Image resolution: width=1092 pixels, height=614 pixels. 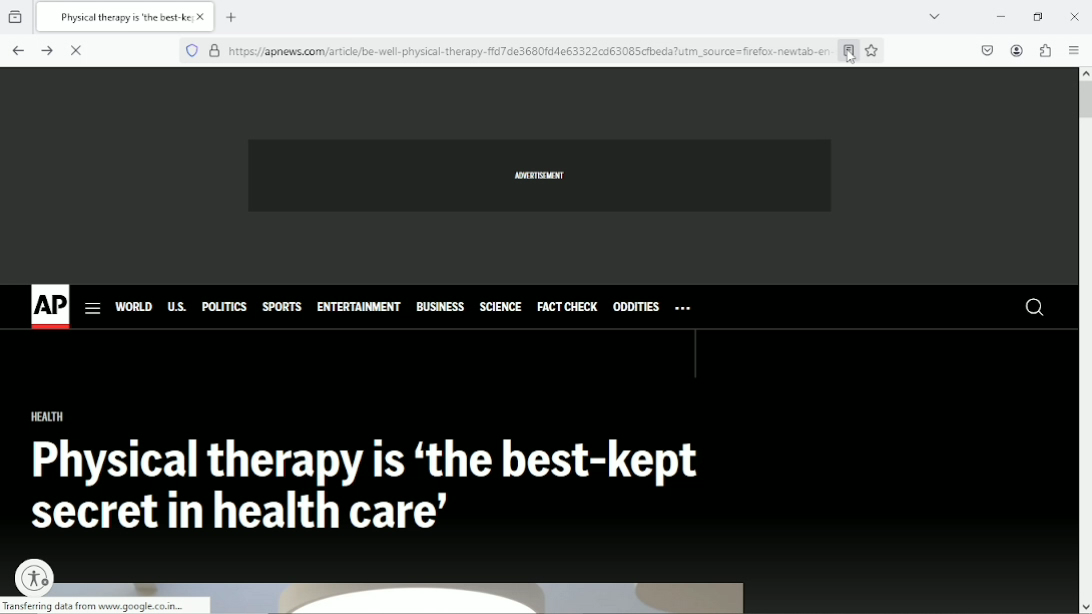 What do you see at coordinates (50, 304) in the screenshot?
I see `AP` at bounding box center [50, 304].